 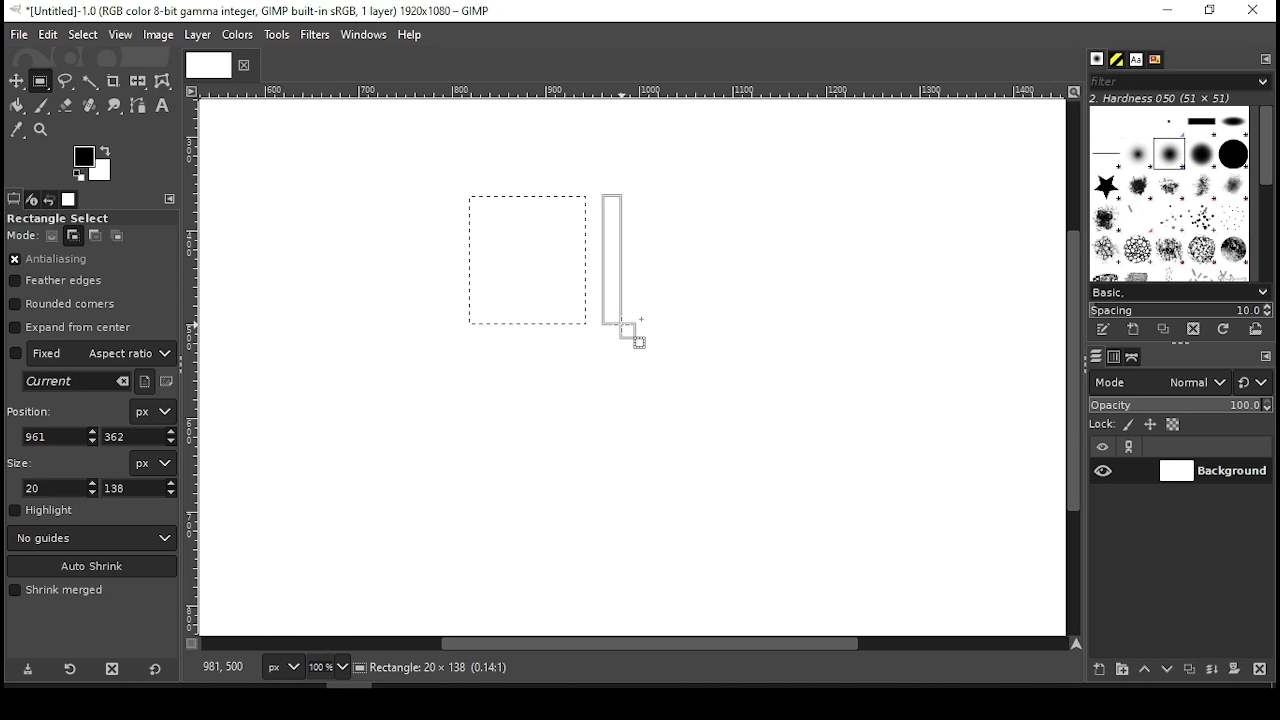 What do you see at coordinates (1145, 671) in the screenshot?
I see `move layer one step up` at bounding box center [1145, 671].